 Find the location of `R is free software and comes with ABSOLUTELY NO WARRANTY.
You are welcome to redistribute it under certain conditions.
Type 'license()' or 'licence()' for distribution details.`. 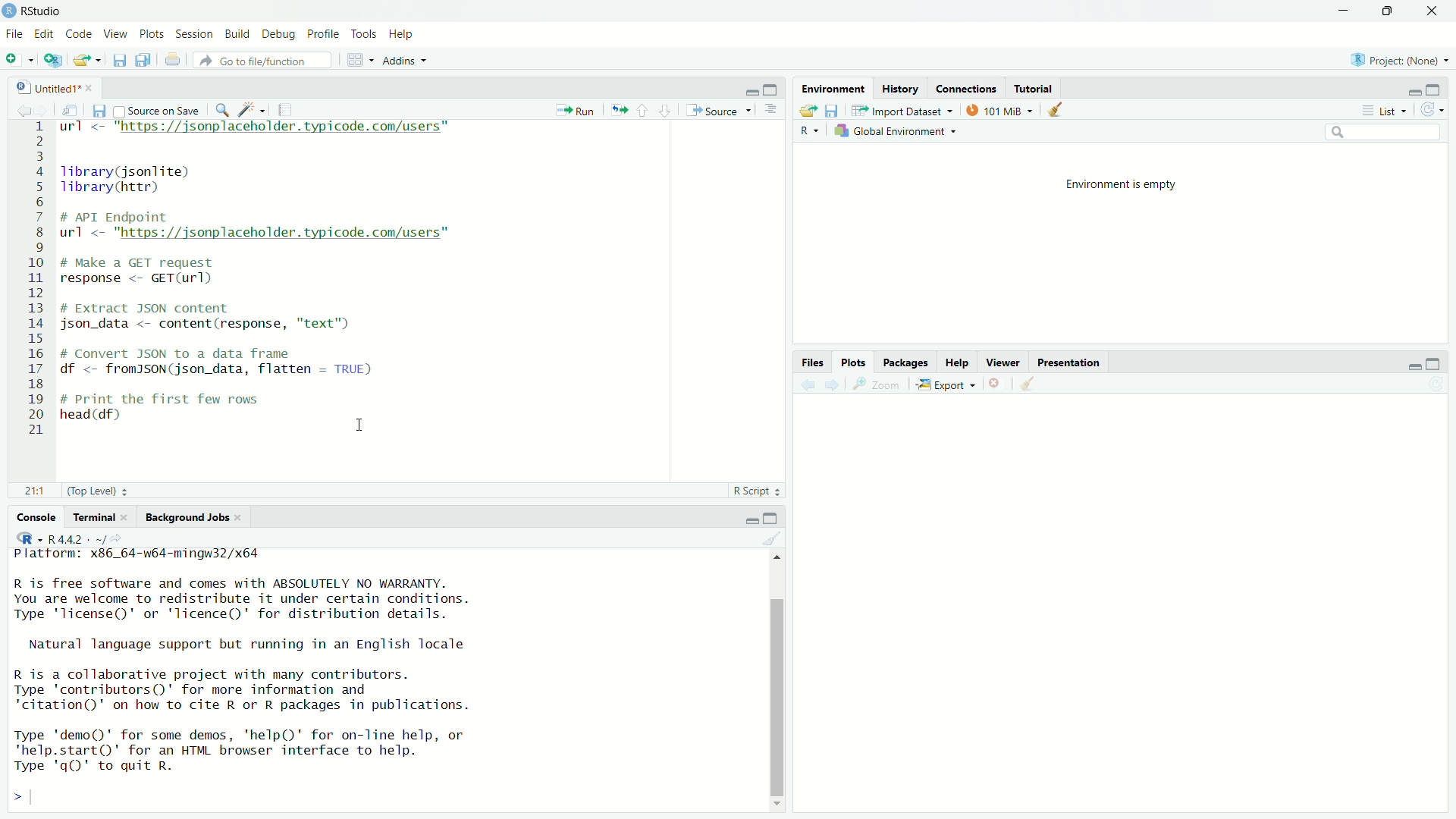

R is free software and comes with ABSOLUTELY NO WARRANTY.
You are welcome to redistribute it under certain conditions.
Type 'license()' or 'licence()' for distribution details. is located at coordinates (241, 601).